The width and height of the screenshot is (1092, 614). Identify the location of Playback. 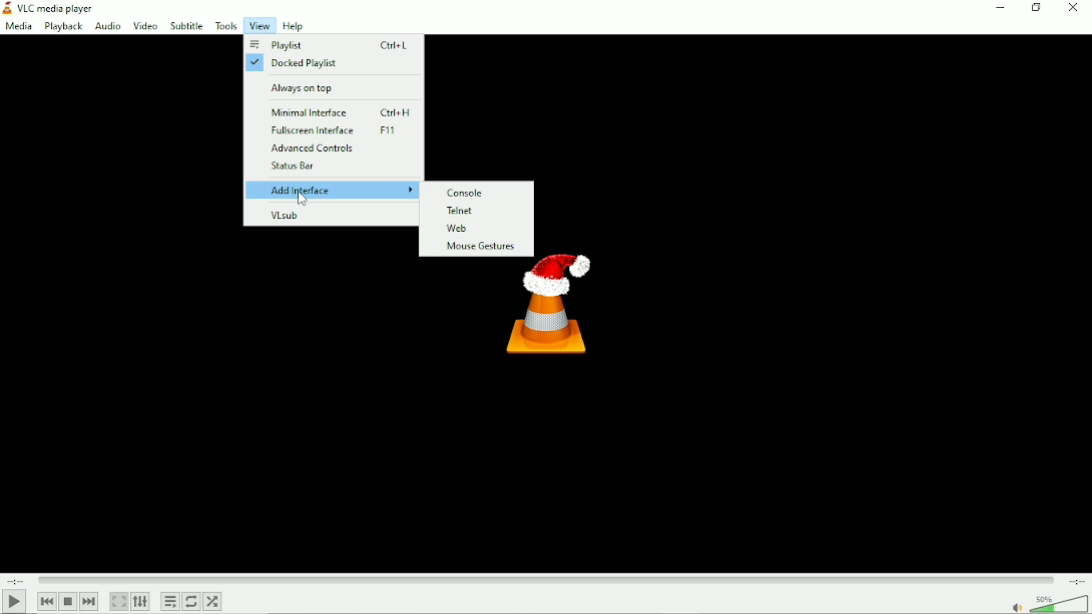
(63, 26).